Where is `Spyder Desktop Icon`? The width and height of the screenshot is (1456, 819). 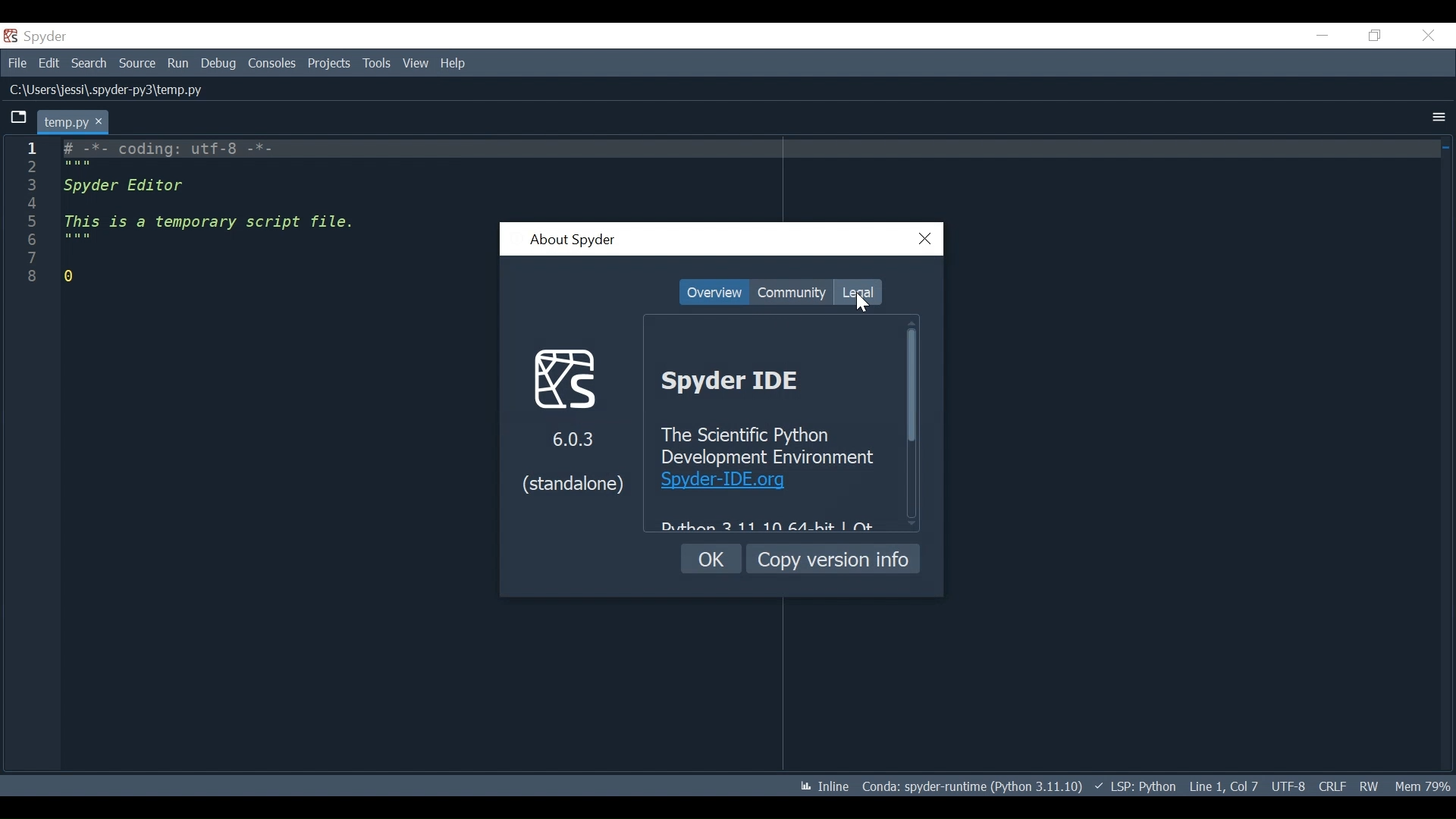
Spyder Desktop Icon is located at coordinates (39, 36).